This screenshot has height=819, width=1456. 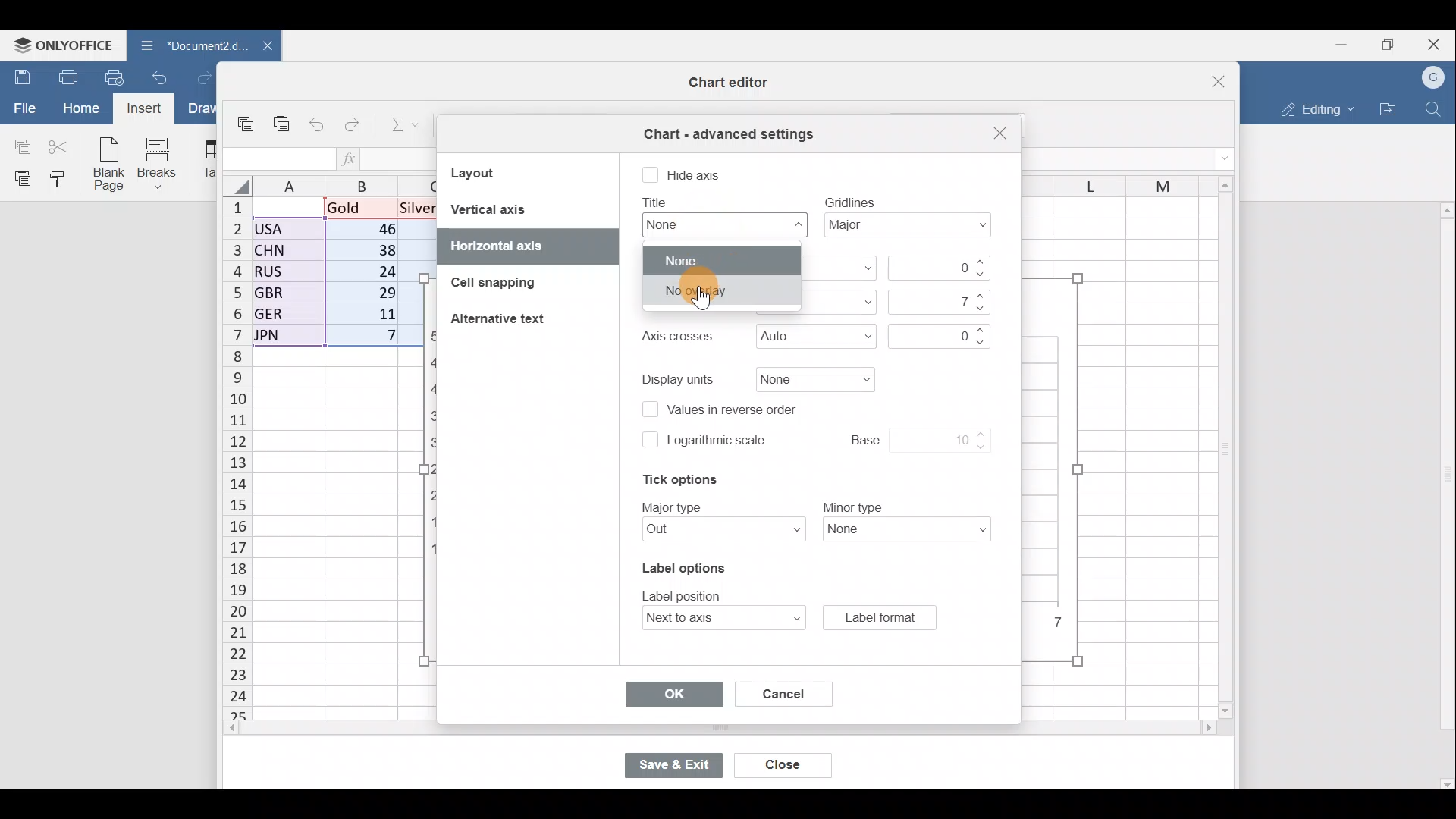 I want to click on ONLYOFFICE Menu, so click(x=64, y=45).